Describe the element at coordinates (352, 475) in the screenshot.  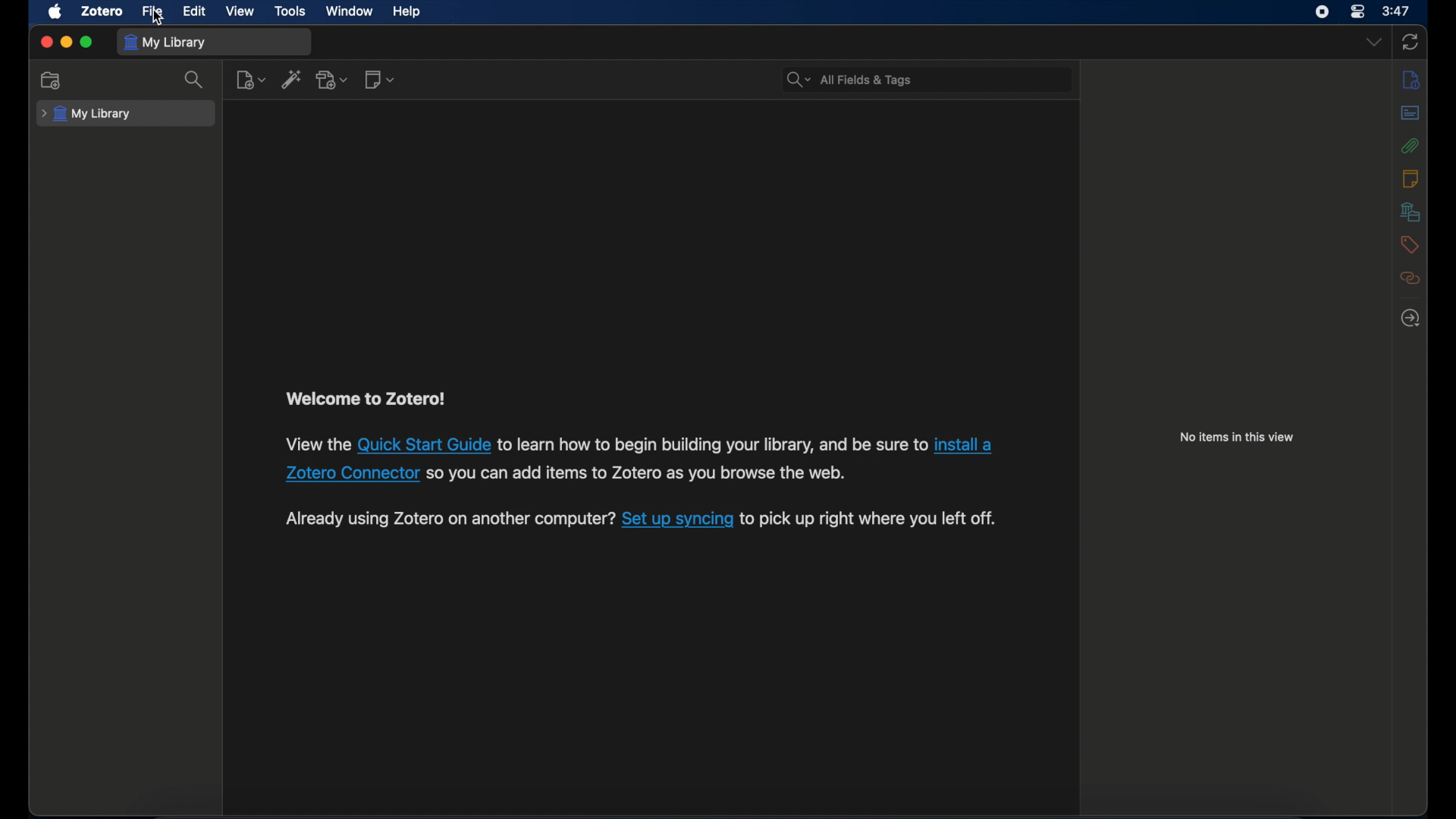
I see `hyperlink` at that location.